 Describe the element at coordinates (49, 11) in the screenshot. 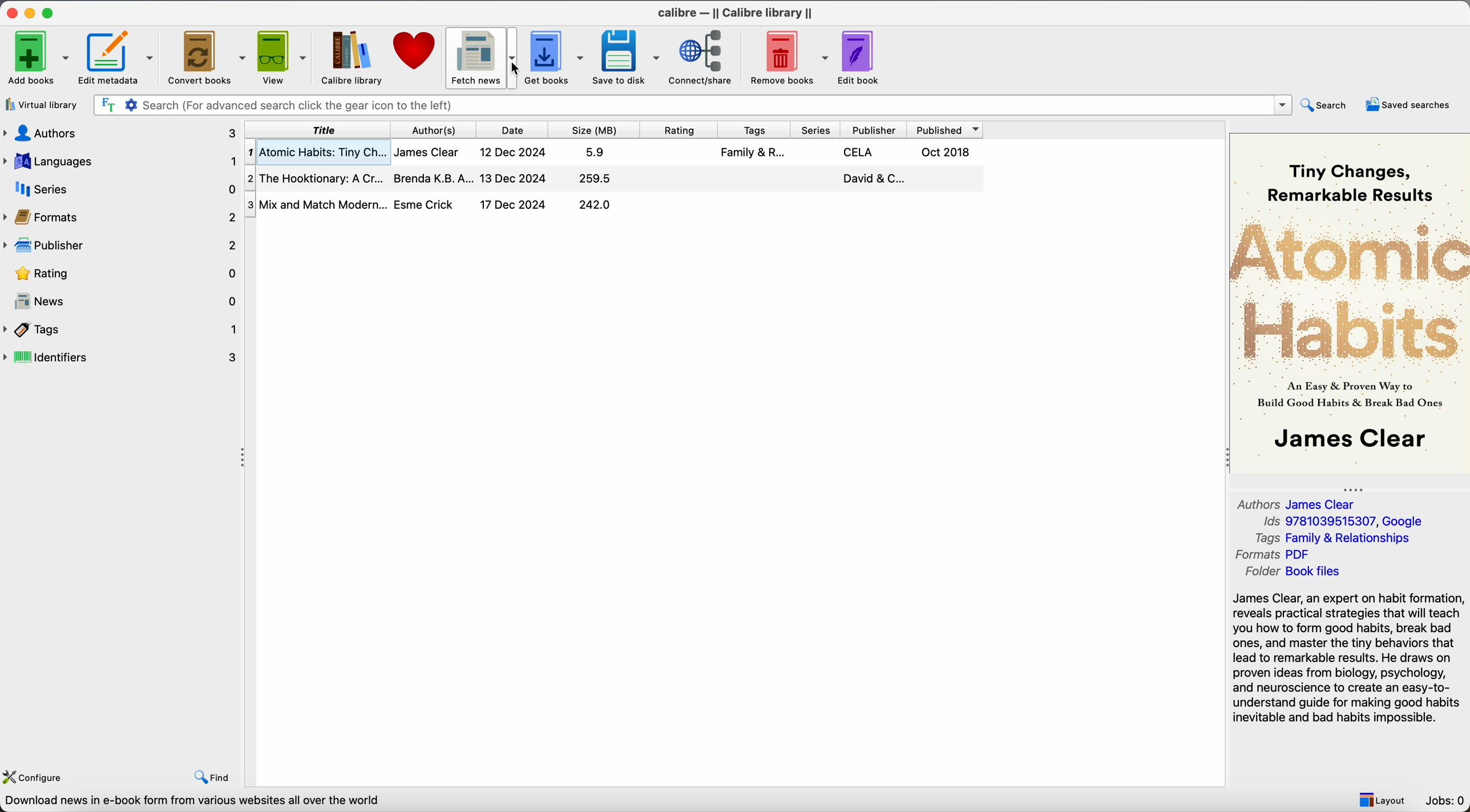

I see `maximize` at that location.